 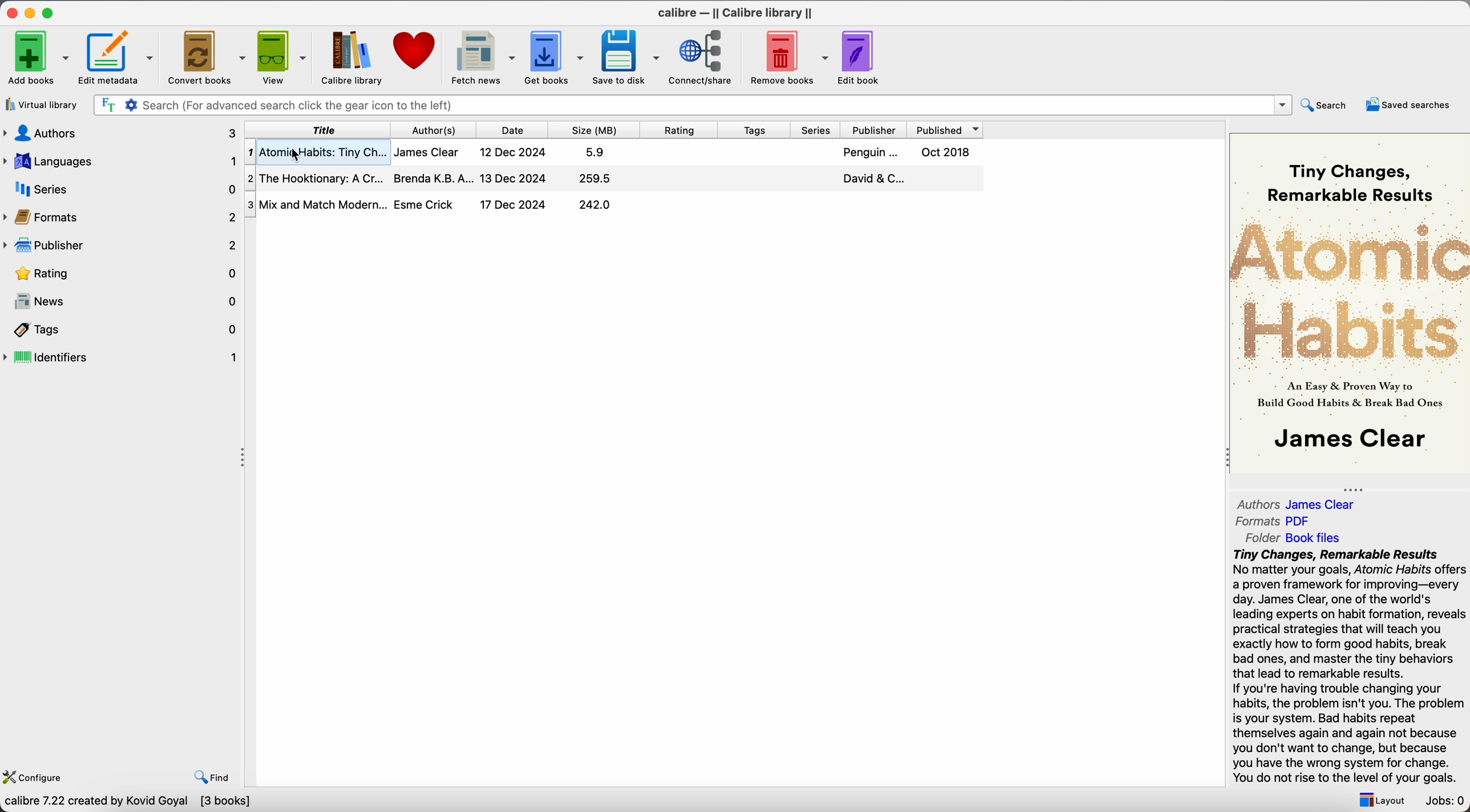 I want to click on edit book, so click(x=860, y=57).